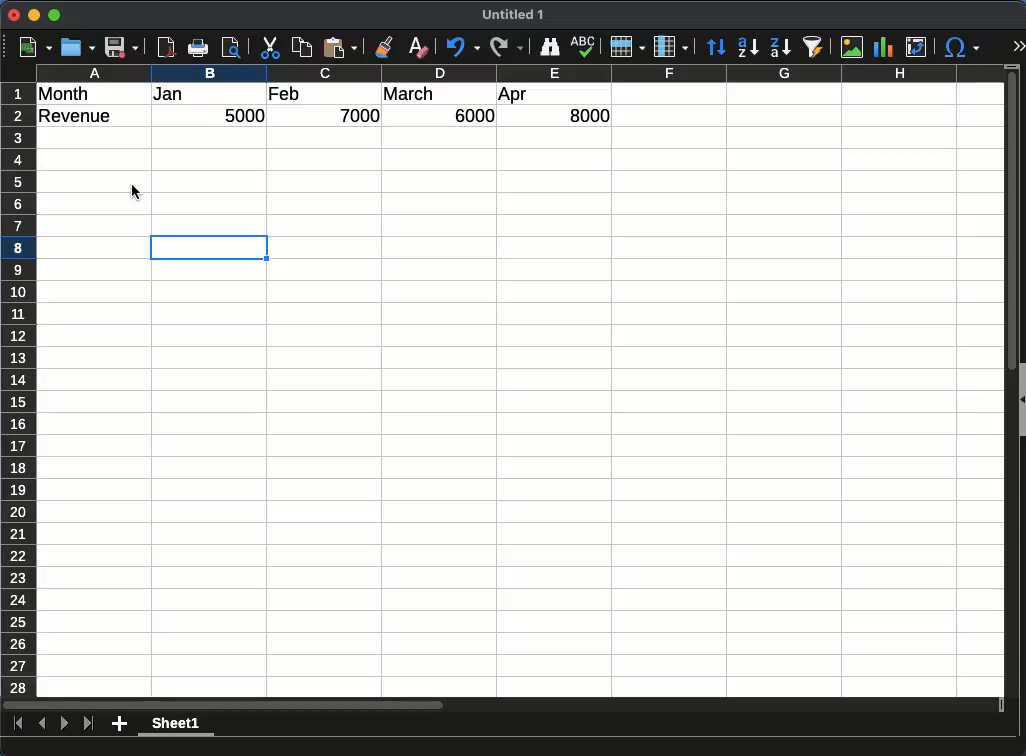 The image size is (1026, 756). What do you see at coordinates (198, 47) in the screenshot?
I see `print` at bounding box center [198, 47].